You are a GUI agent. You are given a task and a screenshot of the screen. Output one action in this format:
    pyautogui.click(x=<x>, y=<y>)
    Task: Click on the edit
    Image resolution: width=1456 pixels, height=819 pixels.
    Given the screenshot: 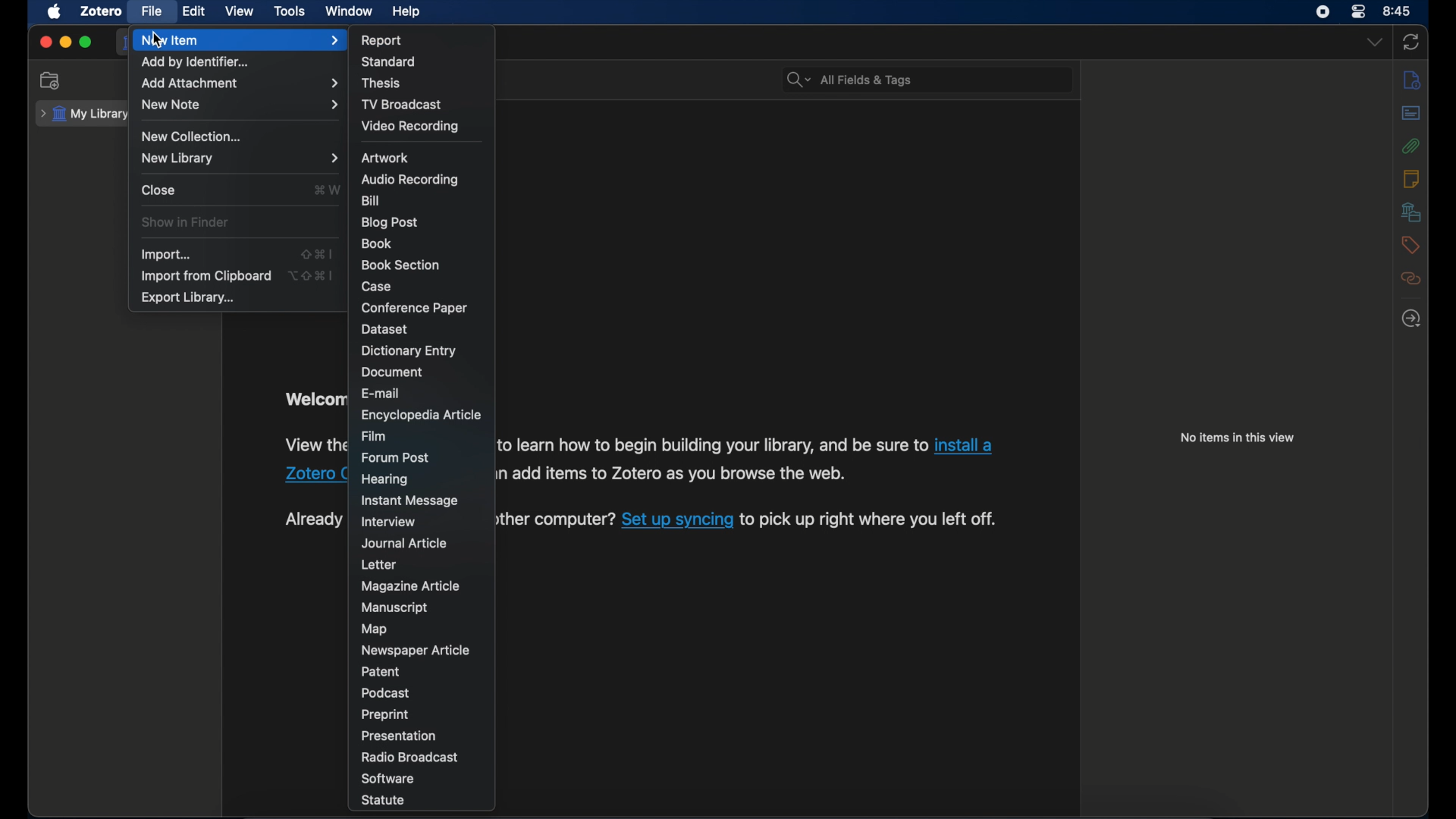 What is the action you would take?
    pyautogui.click(x=192, y=12)
    